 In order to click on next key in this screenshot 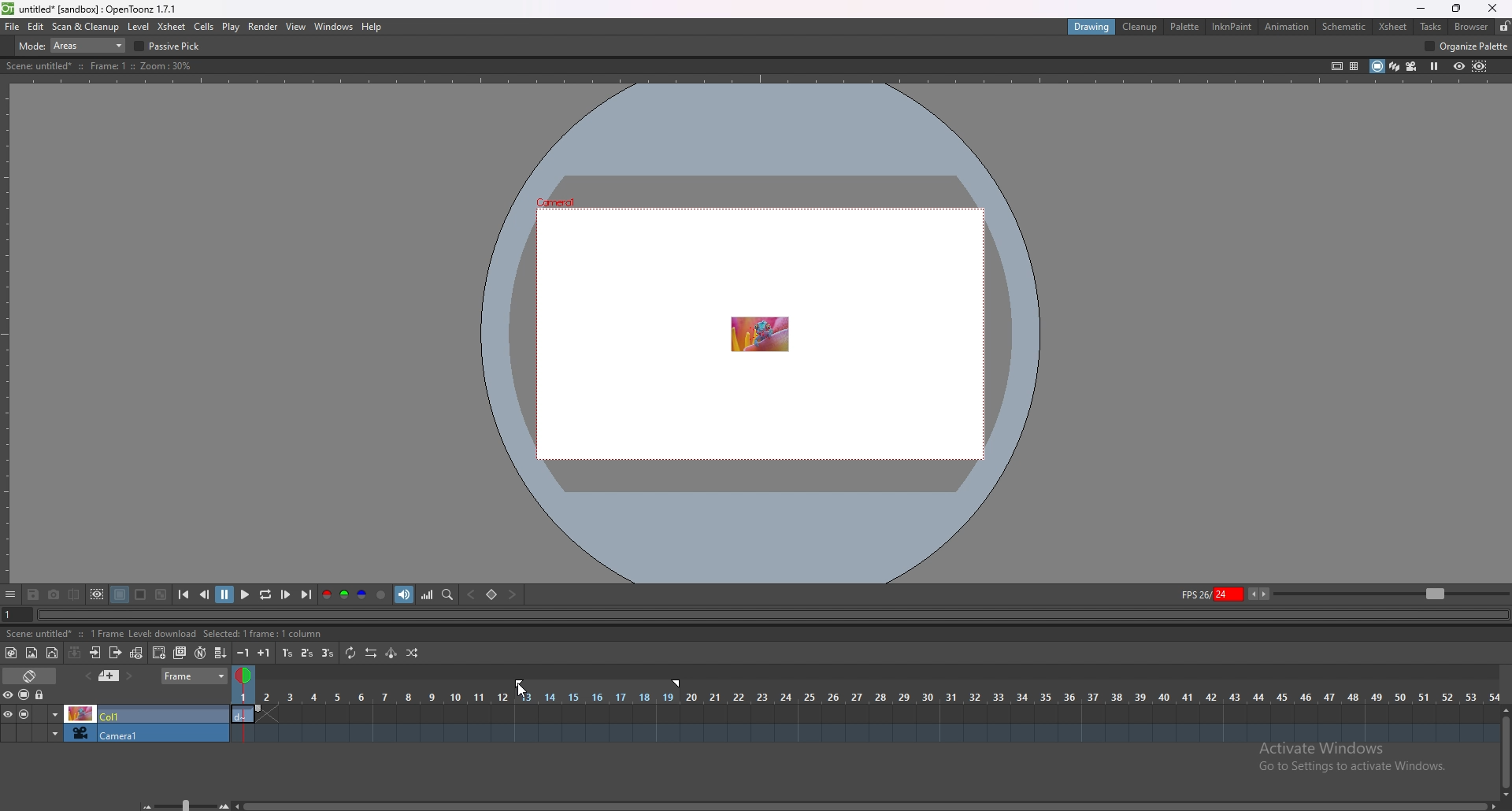, I will do `click(511, 594)`.